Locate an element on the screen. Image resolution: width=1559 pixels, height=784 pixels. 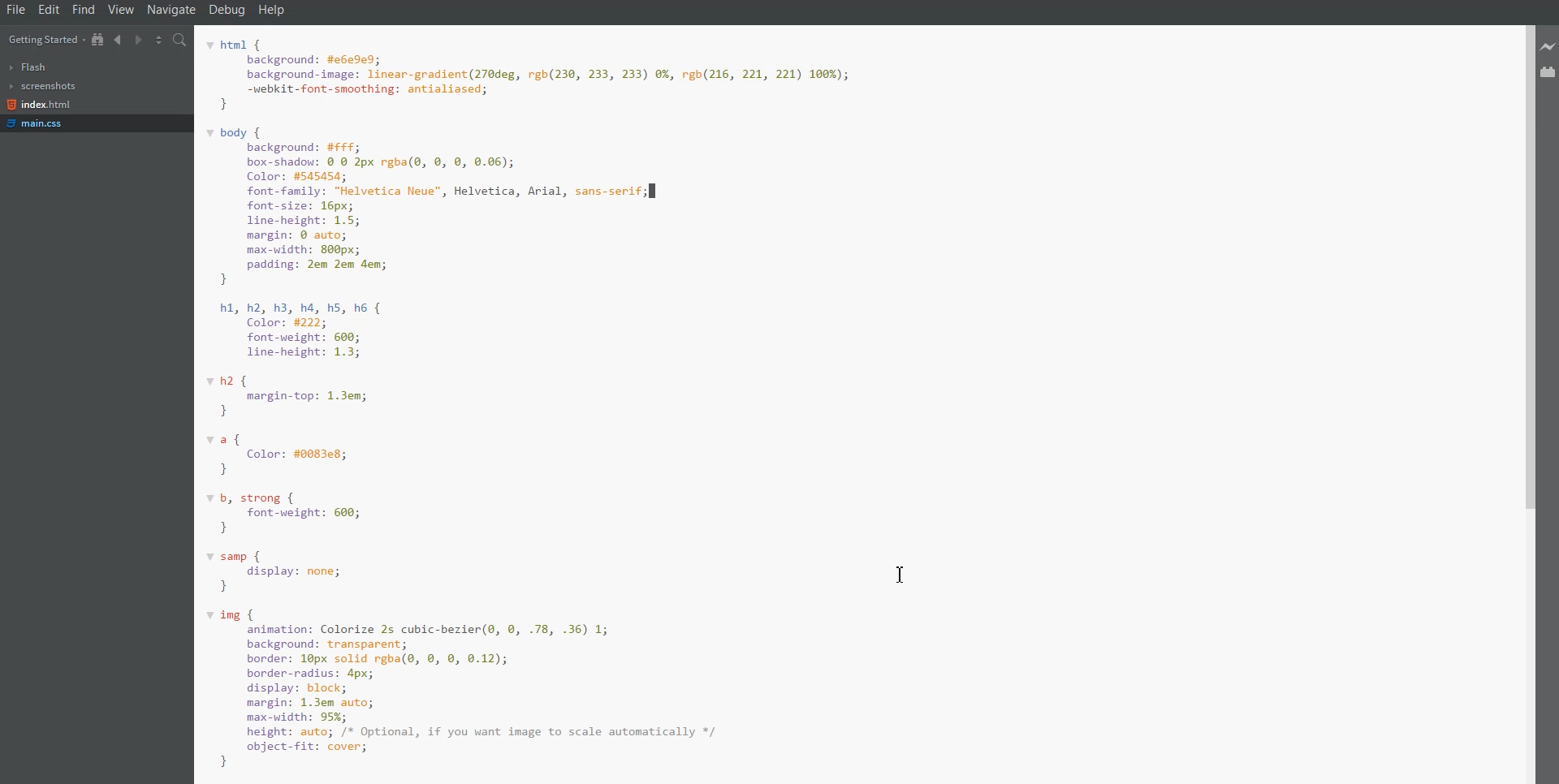
Edit is located at coordinates (50, 10).